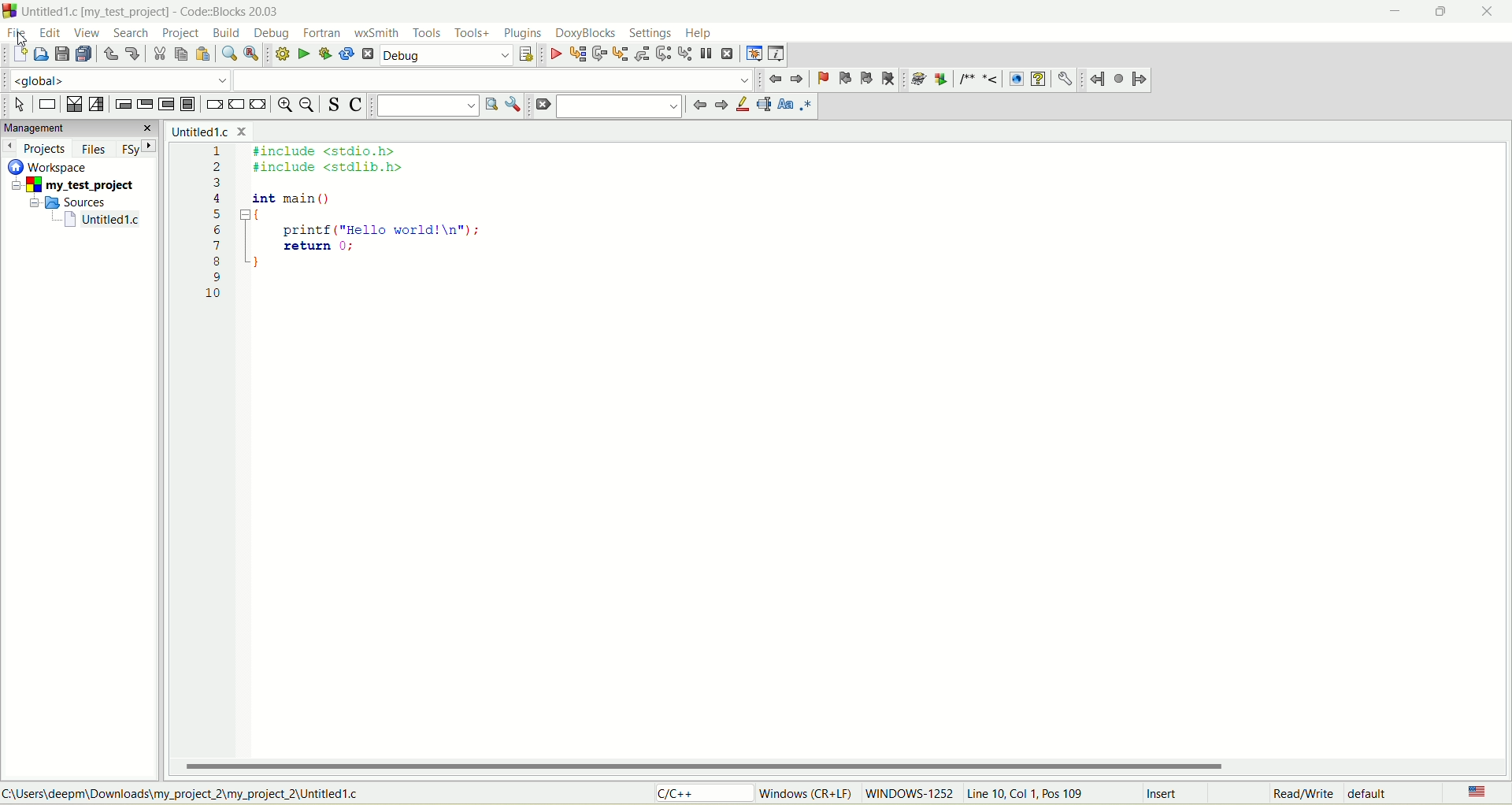 The width and height of the screenshot is (1512, 805). Describe the element at coordinates (110, 57) in the screenshot. I see `undo` at that location.